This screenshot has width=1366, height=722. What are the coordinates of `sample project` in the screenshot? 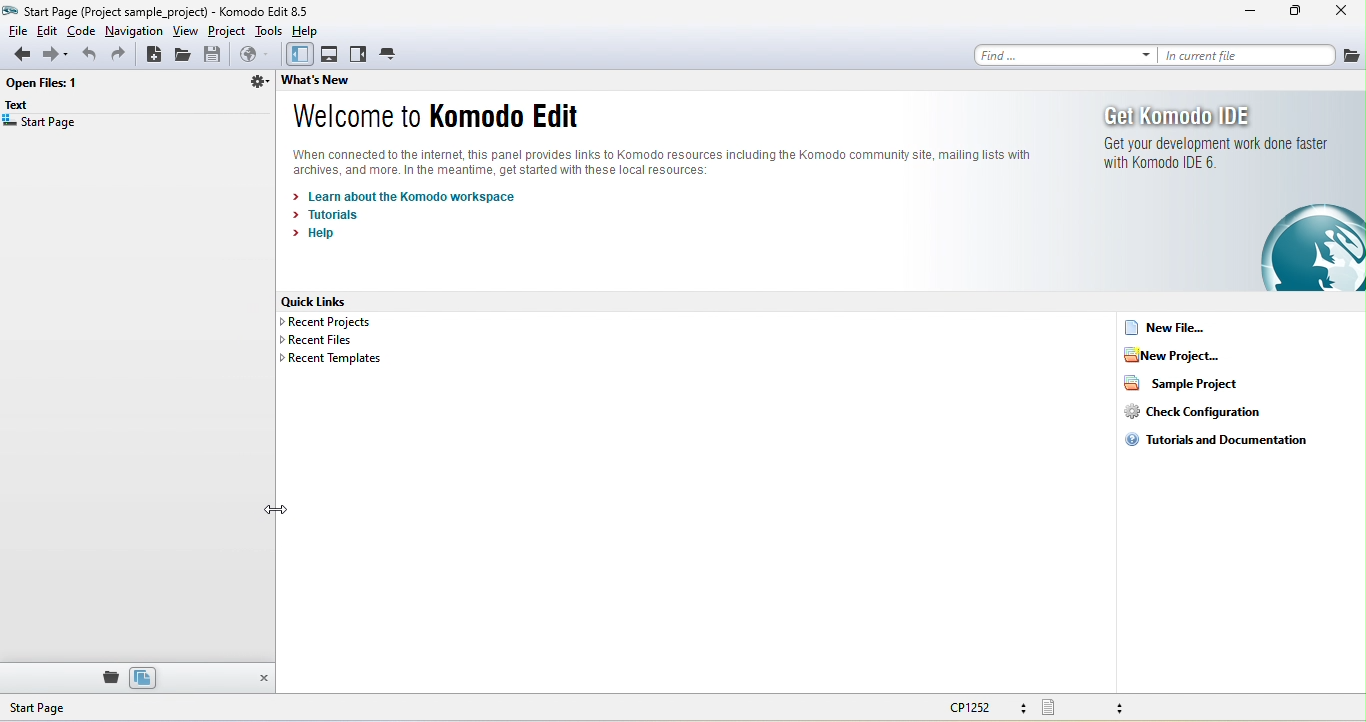 It's located at (1180, 382).